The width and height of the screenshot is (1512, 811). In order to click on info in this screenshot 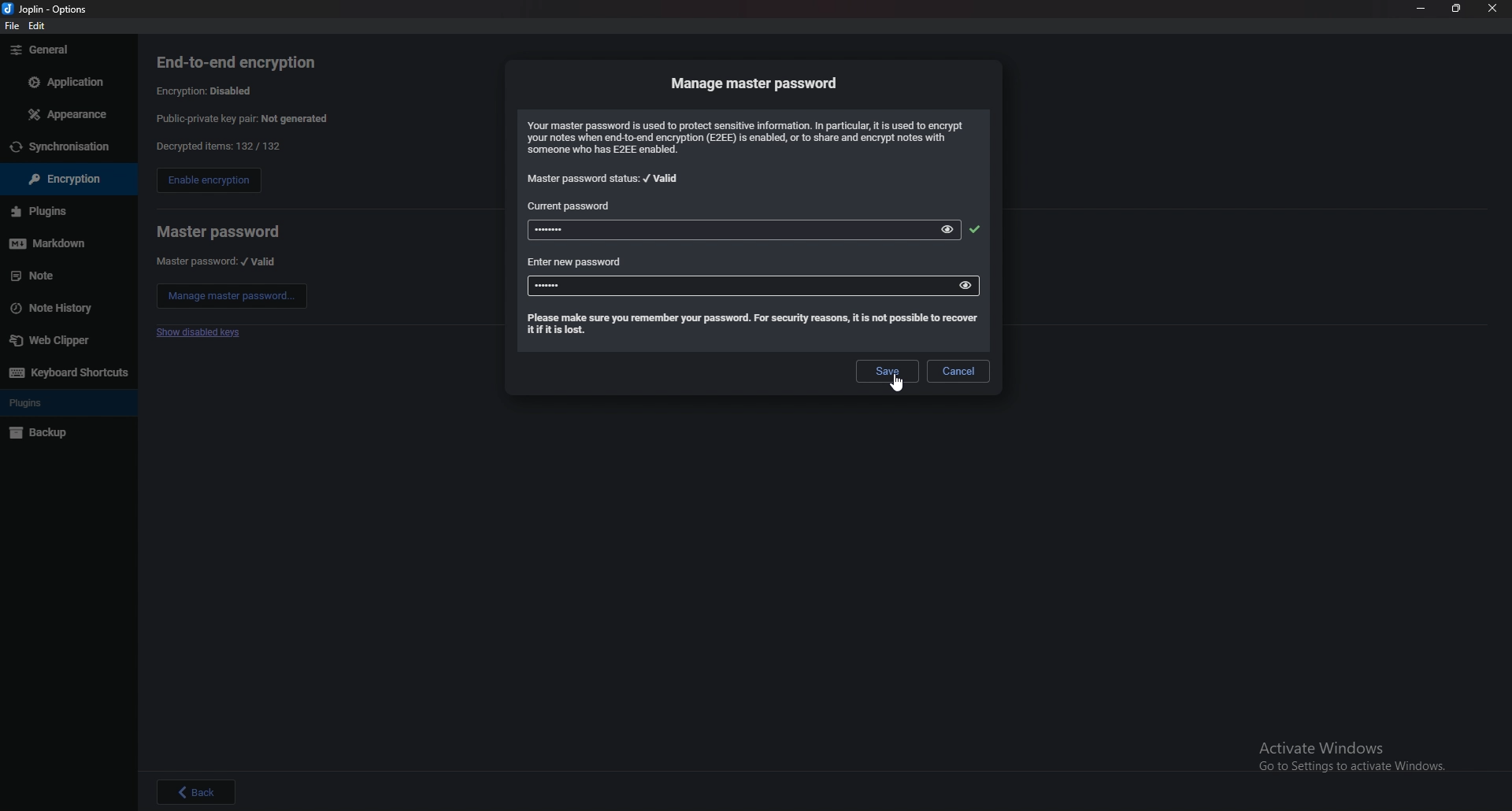, I will do `click(750, 325)`.